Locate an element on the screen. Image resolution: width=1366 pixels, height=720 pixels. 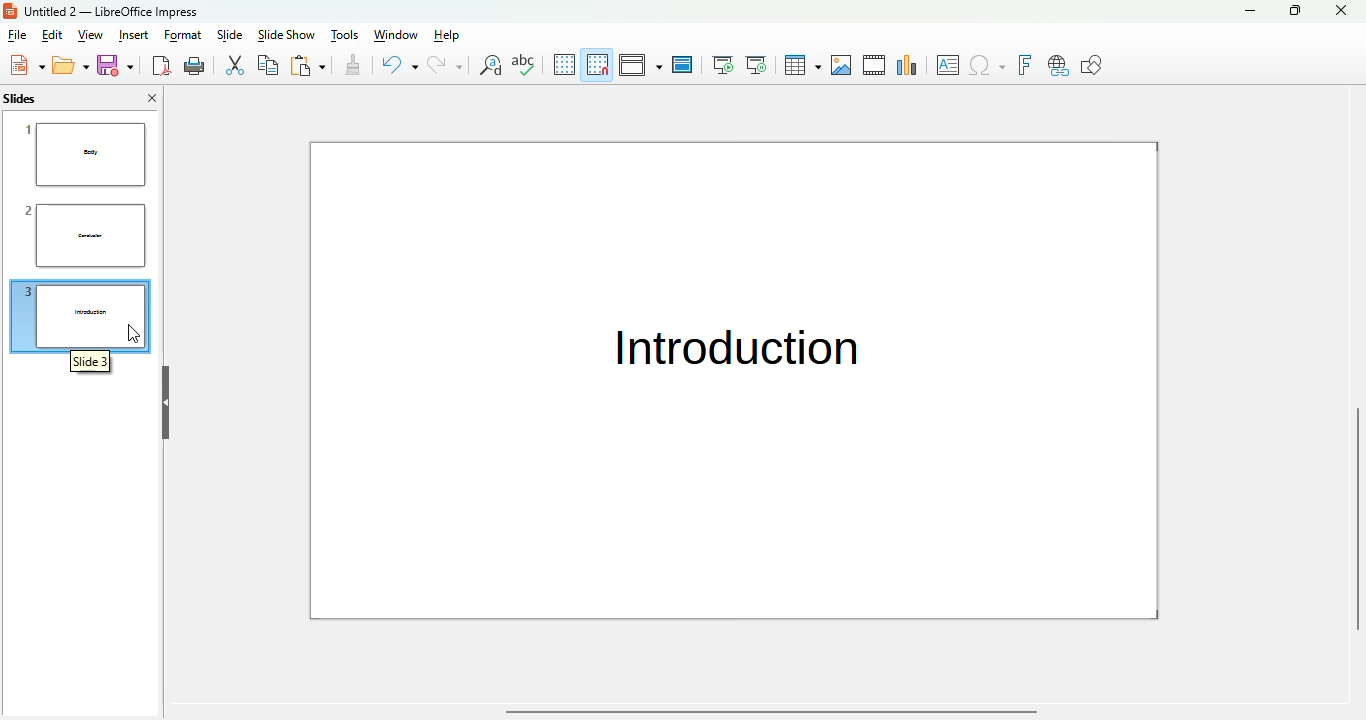
undo is located at coordinates (398, 64).